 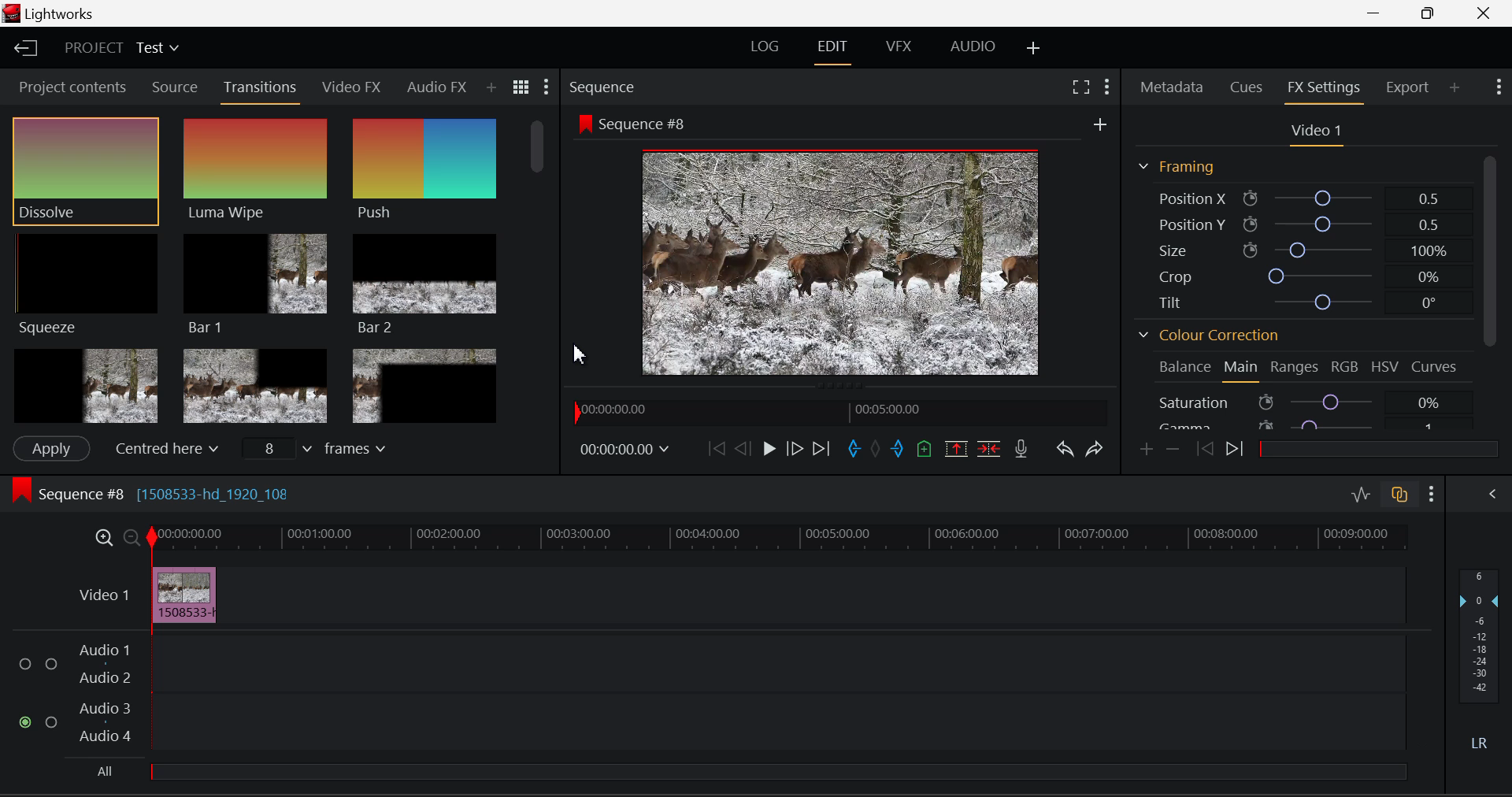 I want to click on Decibel Level, so click(x=1480, y=654).